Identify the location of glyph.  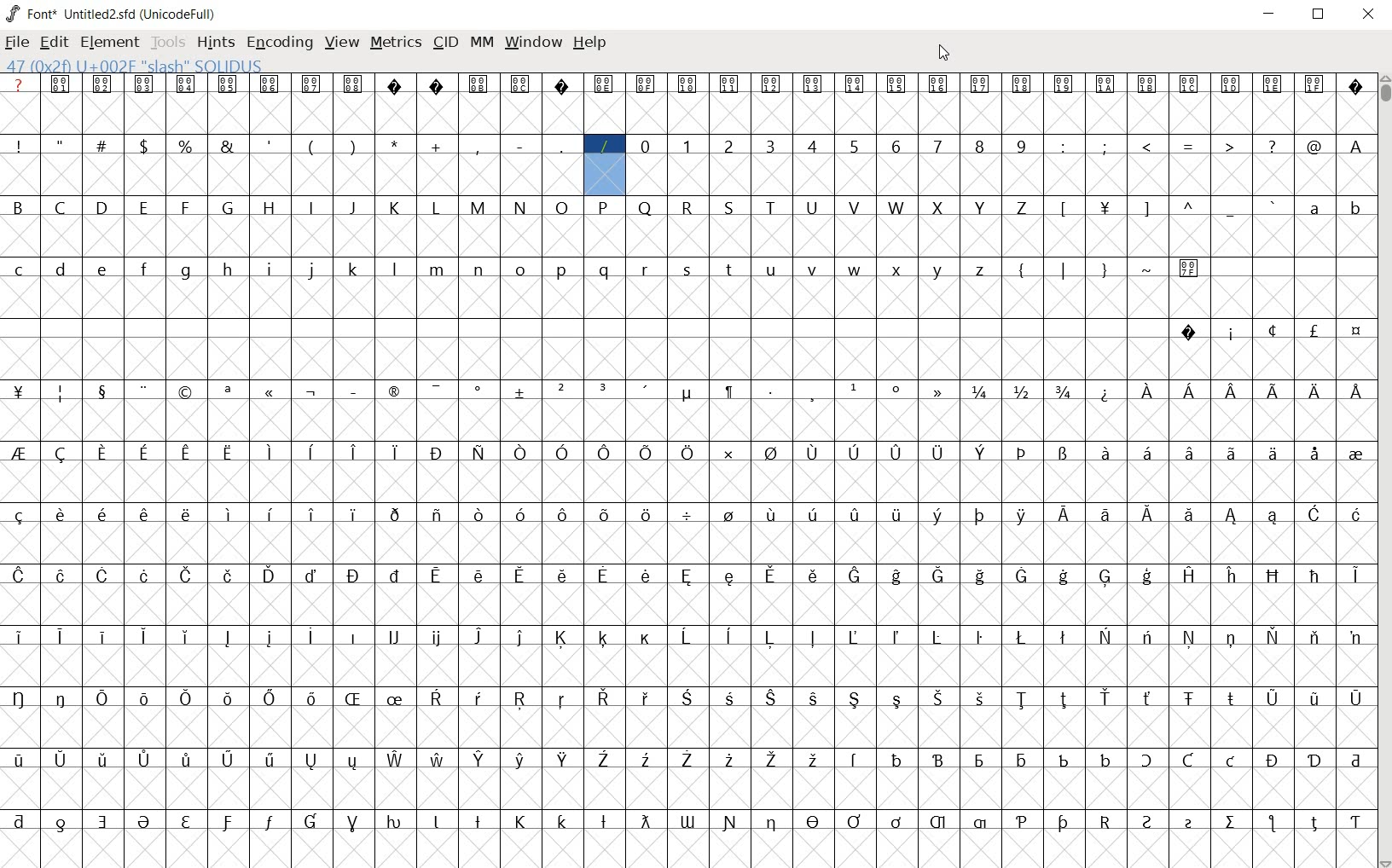
(980, 516).